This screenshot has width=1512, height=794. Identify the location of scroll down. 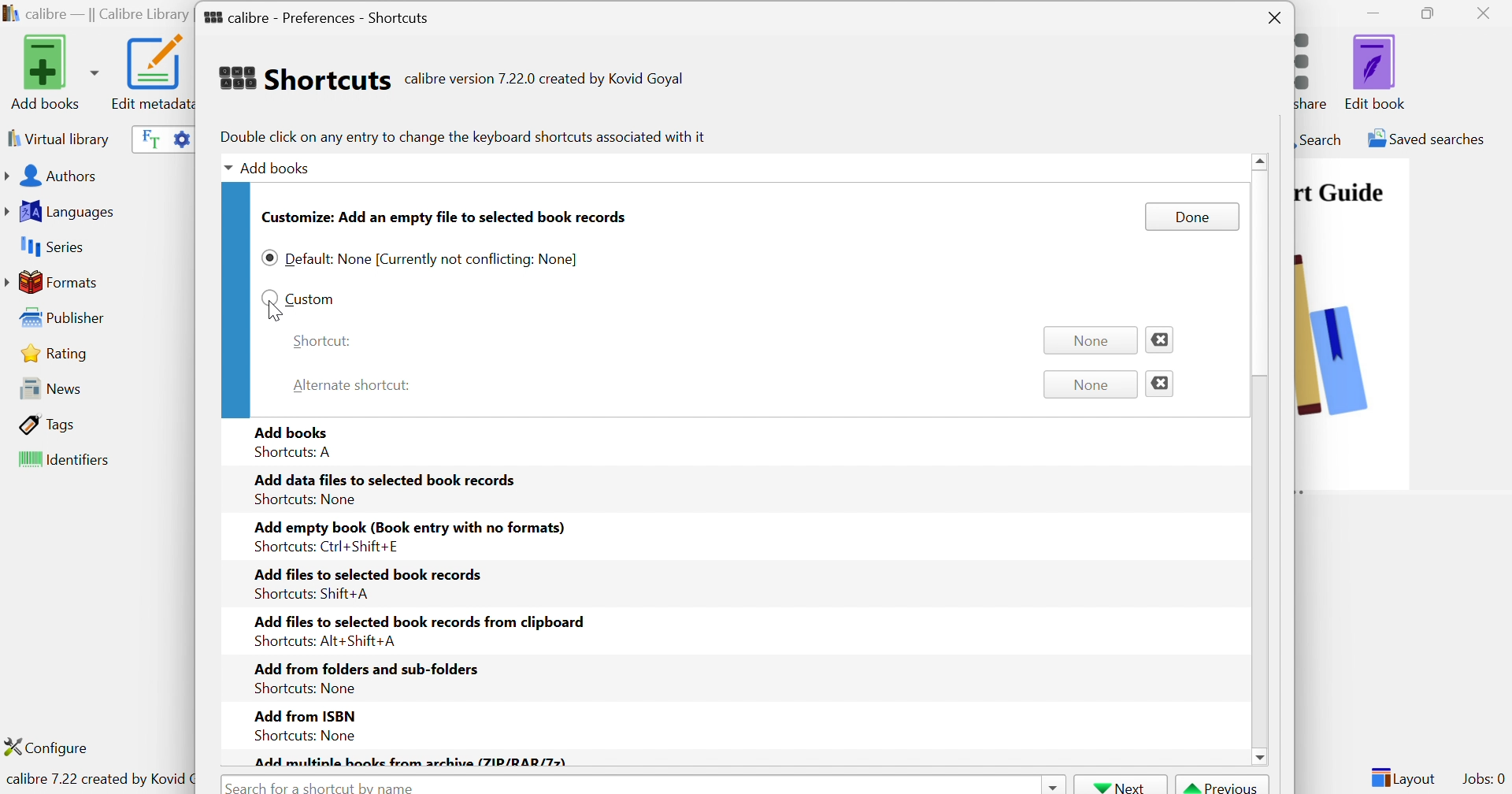
(1257, 759).